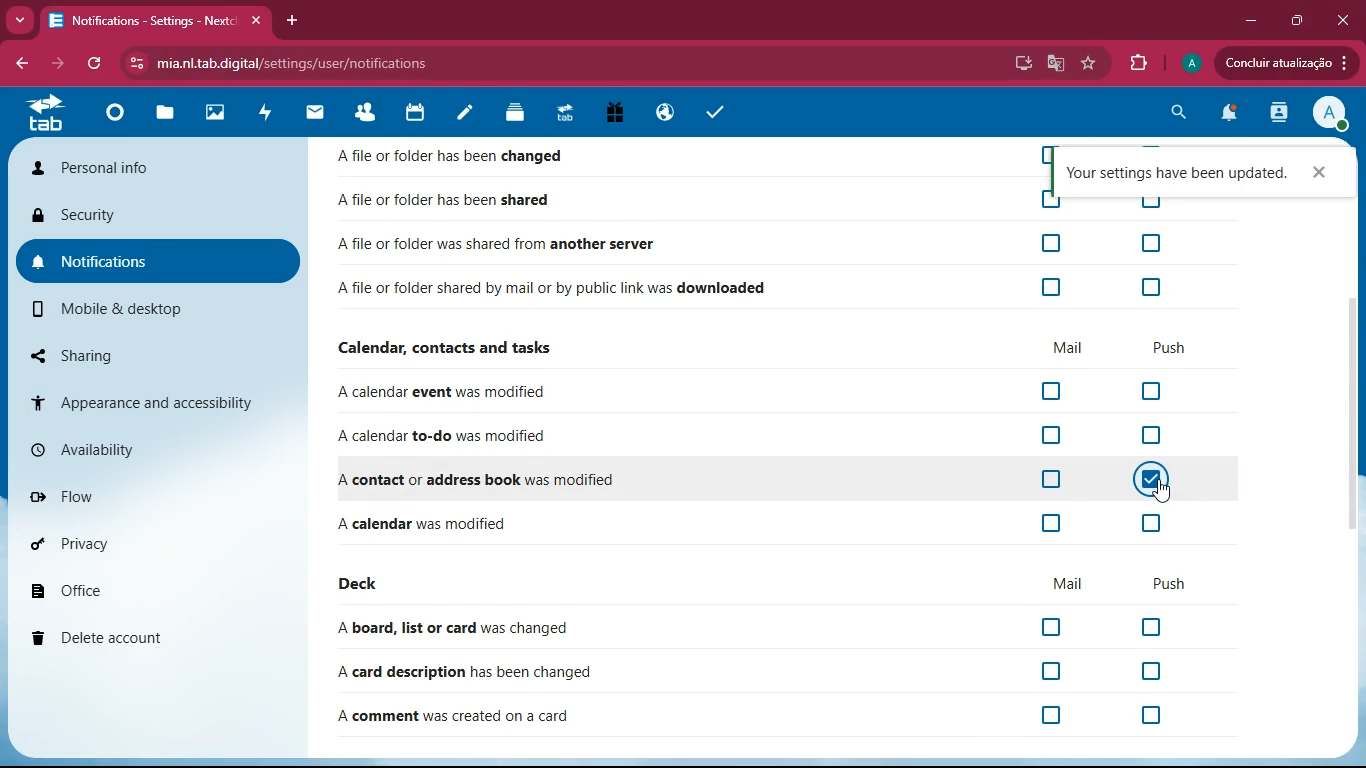 The height and width of the screenshot is (768, 1366). I want to click on off, so click(1152, 287).